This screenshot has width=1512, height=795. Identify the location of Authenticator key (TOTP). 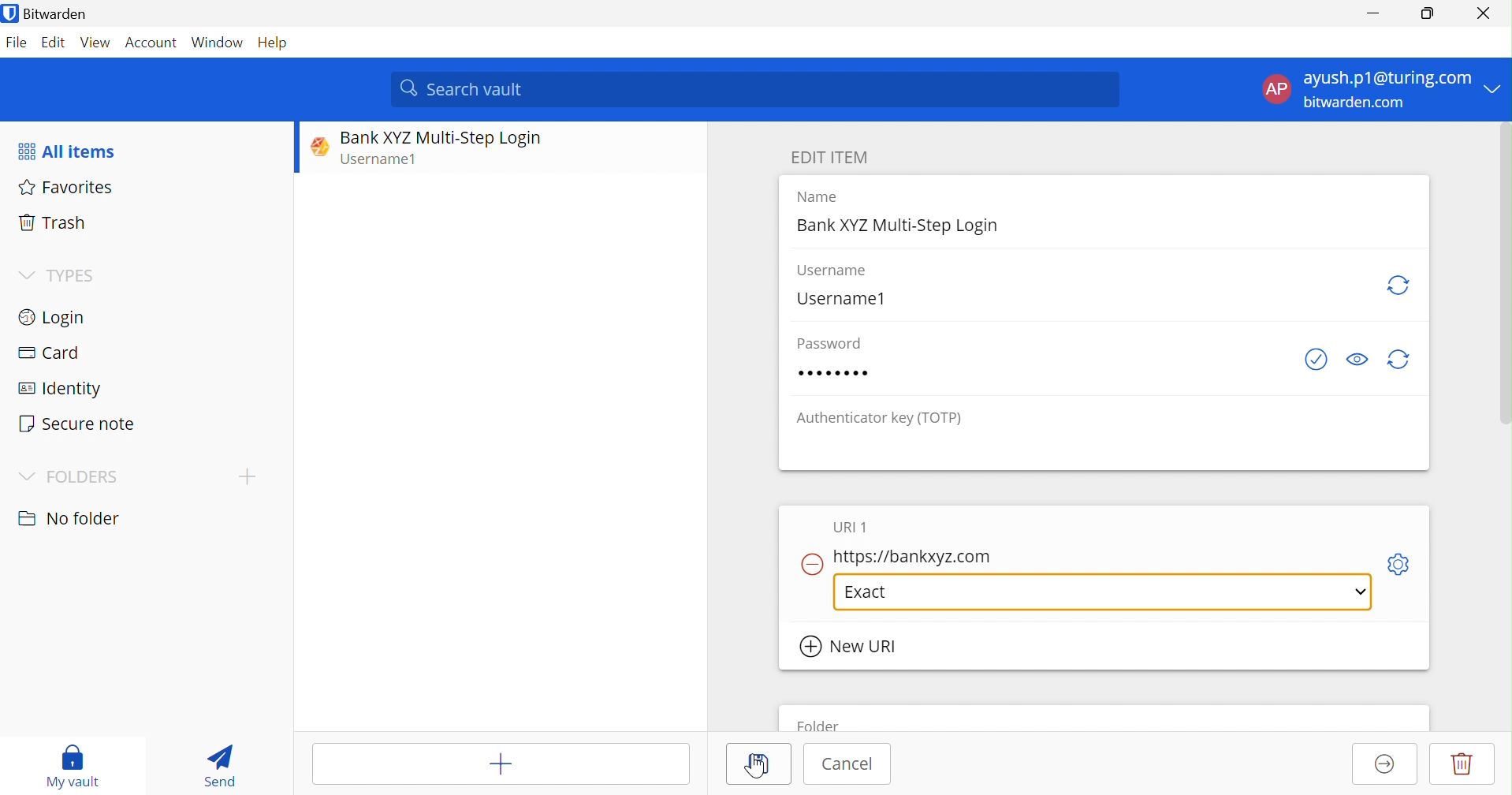
(881, 420).